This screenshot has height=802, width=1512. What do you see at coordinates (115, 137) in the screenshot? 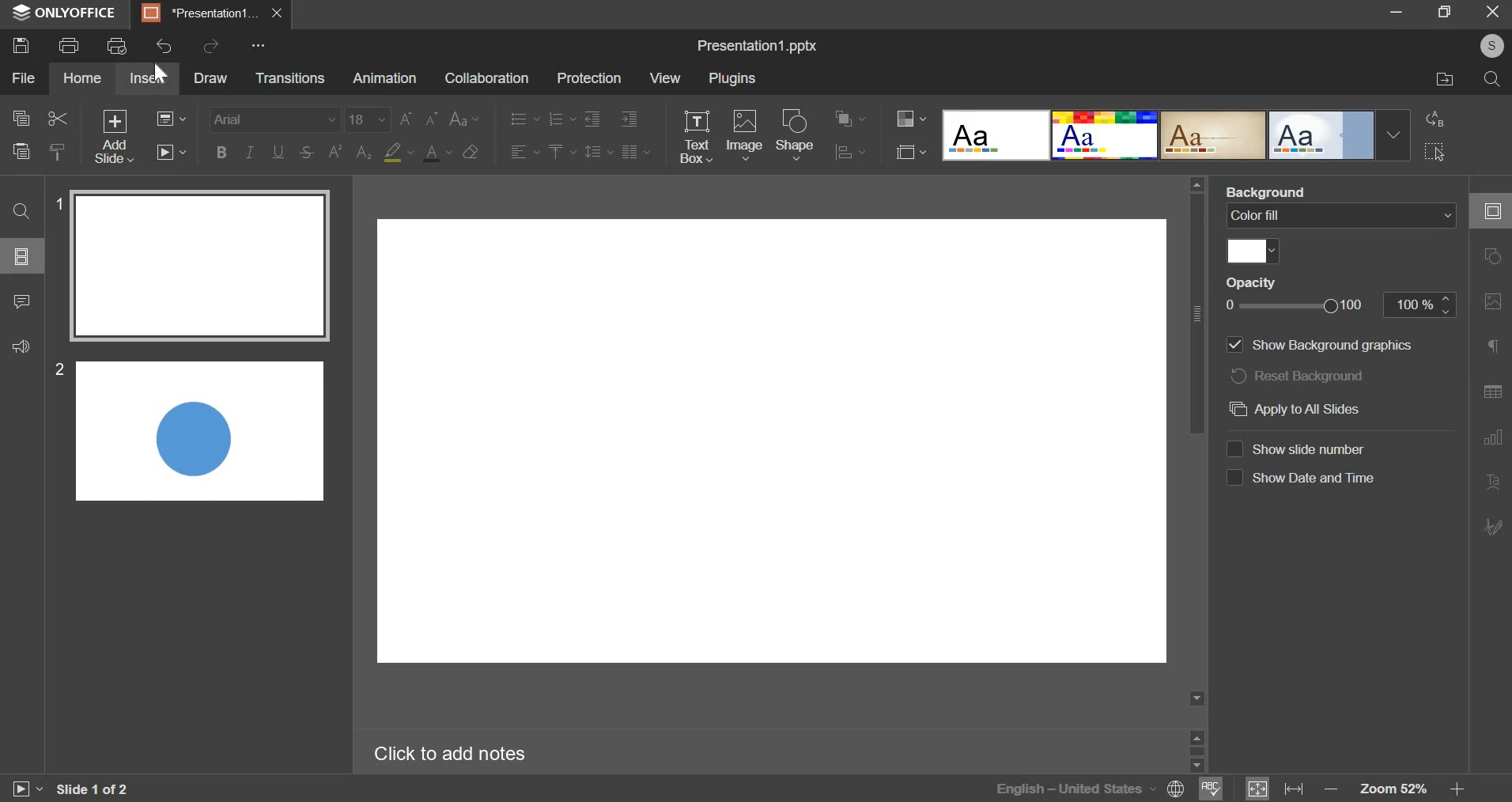
I see `add new slide` at bounding box center [115, 137].